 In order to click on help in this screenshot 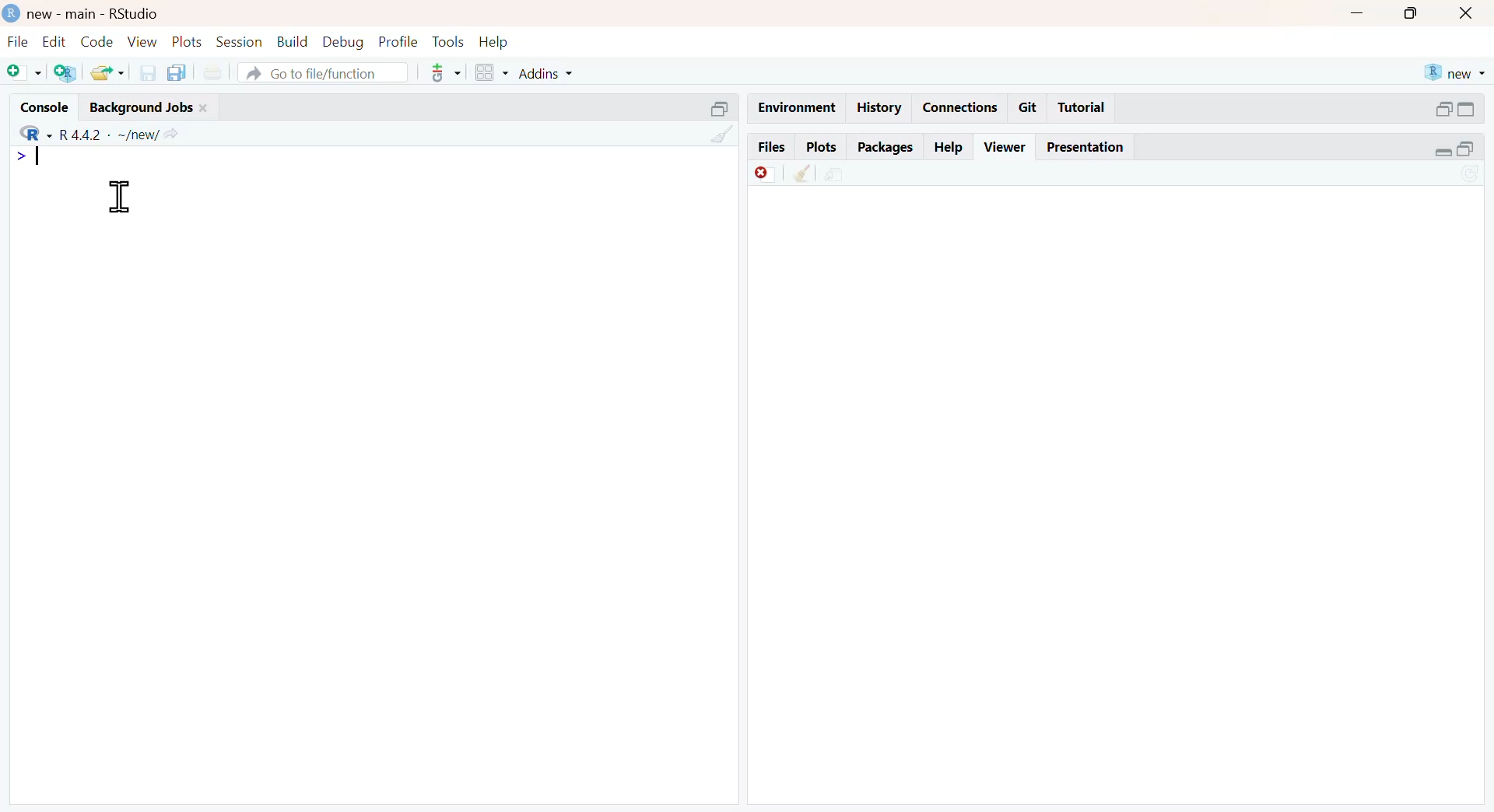, I will do `click(494, 42)`.